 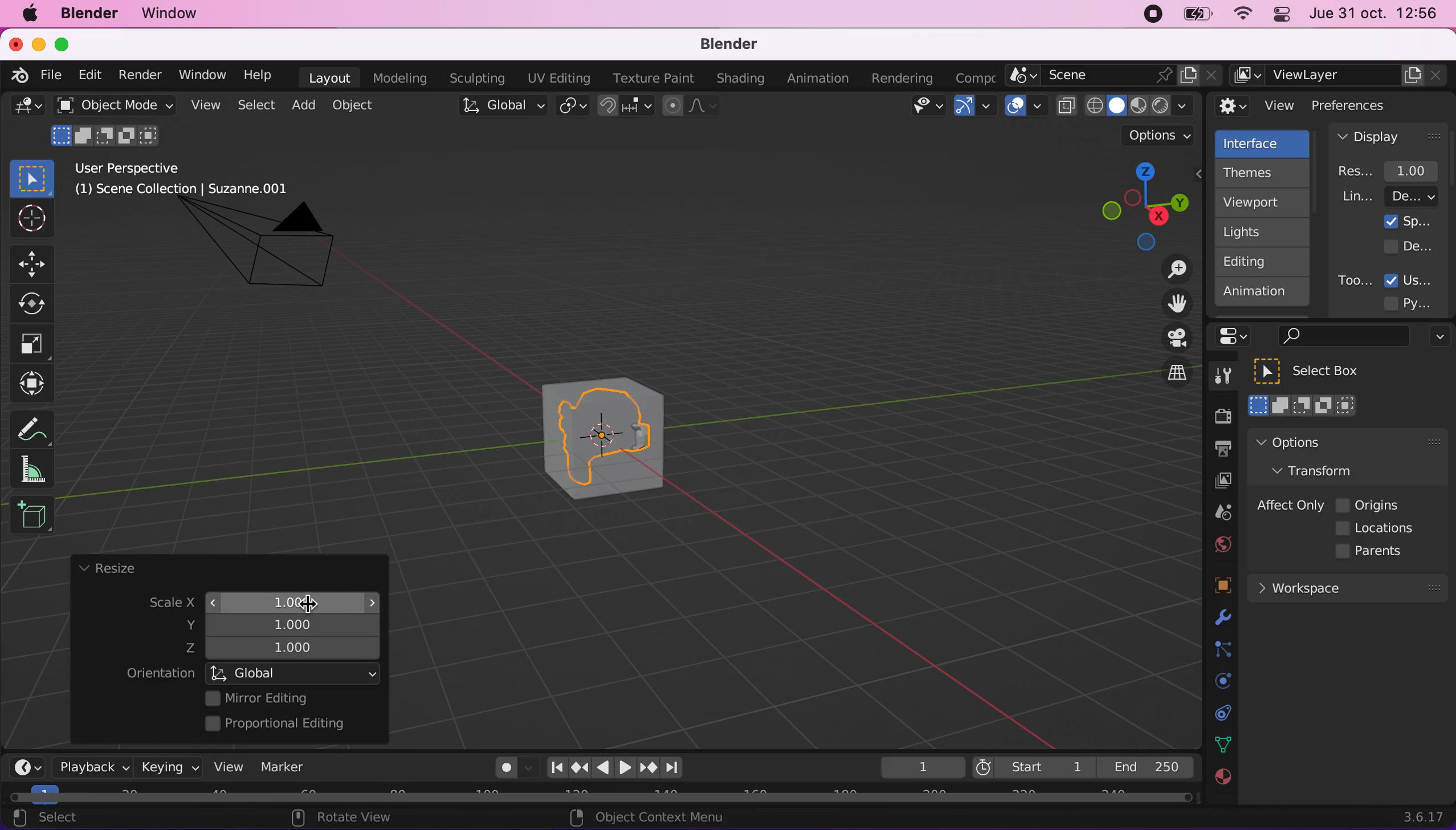 What do you see at coordinates (1375, 552) in the screenshot?
I see `parents` at bounding box center [1375, 552].